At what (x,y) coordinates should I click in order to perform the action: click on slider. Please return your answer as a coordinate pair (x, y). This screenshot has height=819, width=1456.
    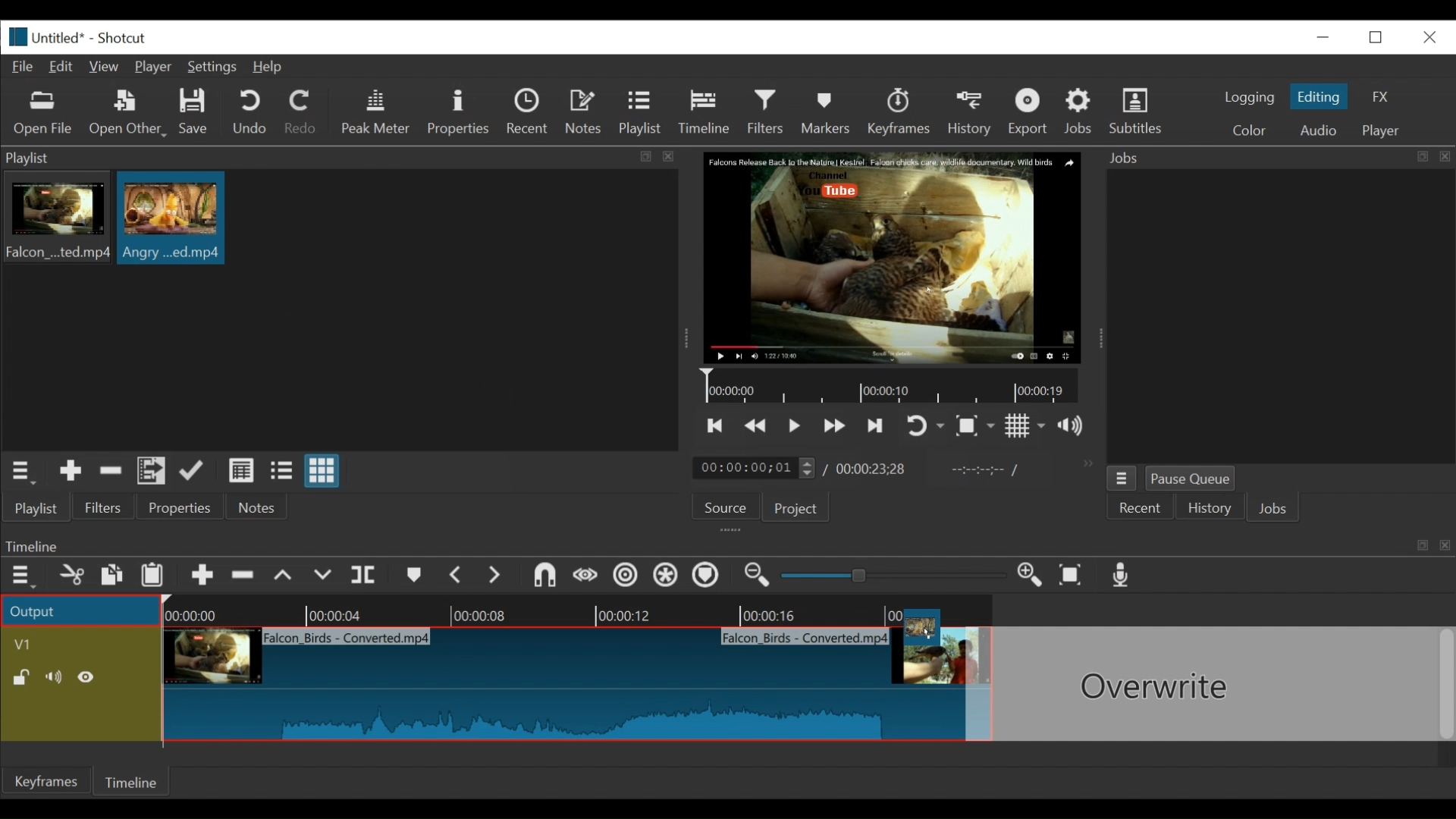
    Looking at the image, I should click on (889, 576).